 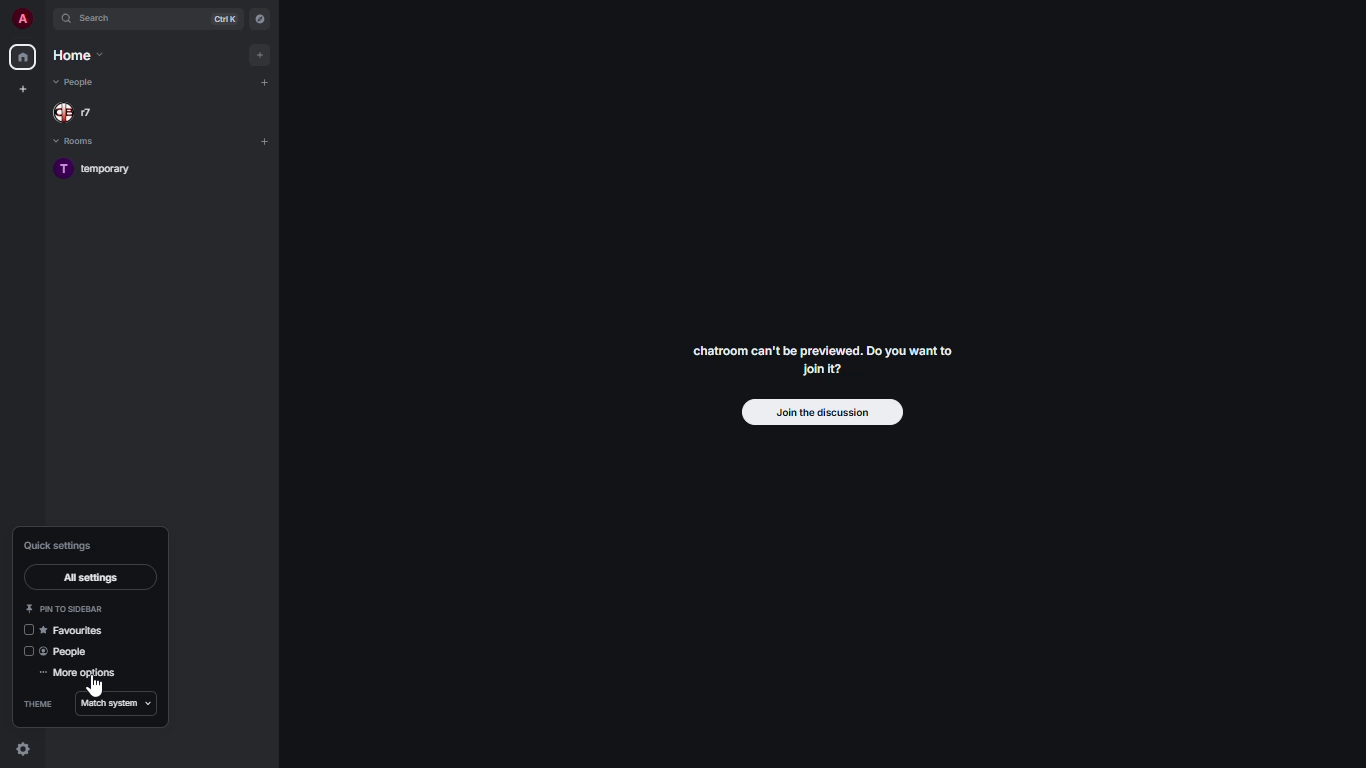 What do you see at coordinates (76, 631) in the screenshot?
I see `favorites` at bounding box center [76, 631].